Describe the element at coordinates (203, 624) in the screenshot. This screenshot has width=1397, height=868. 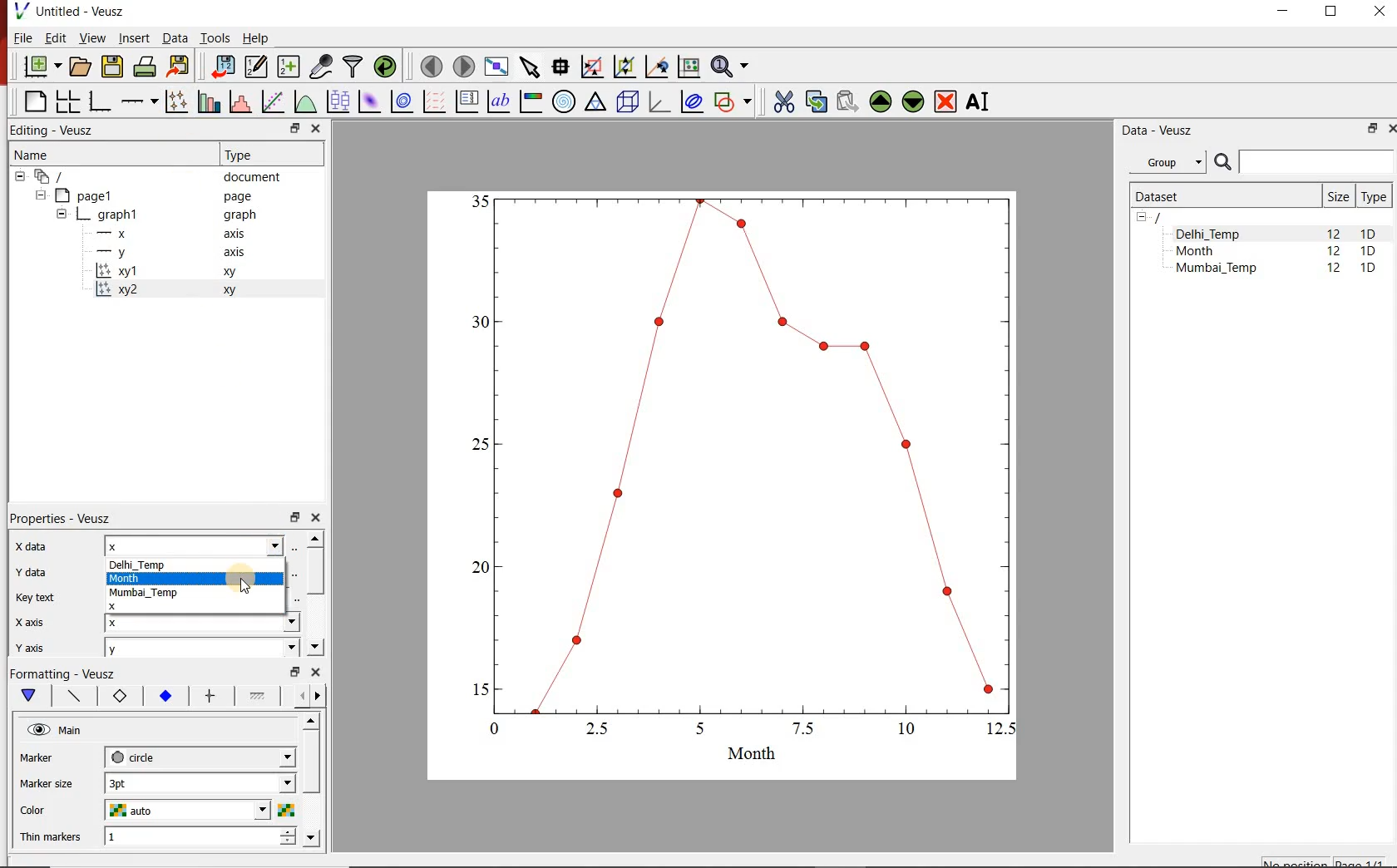
I see `x` at that location.